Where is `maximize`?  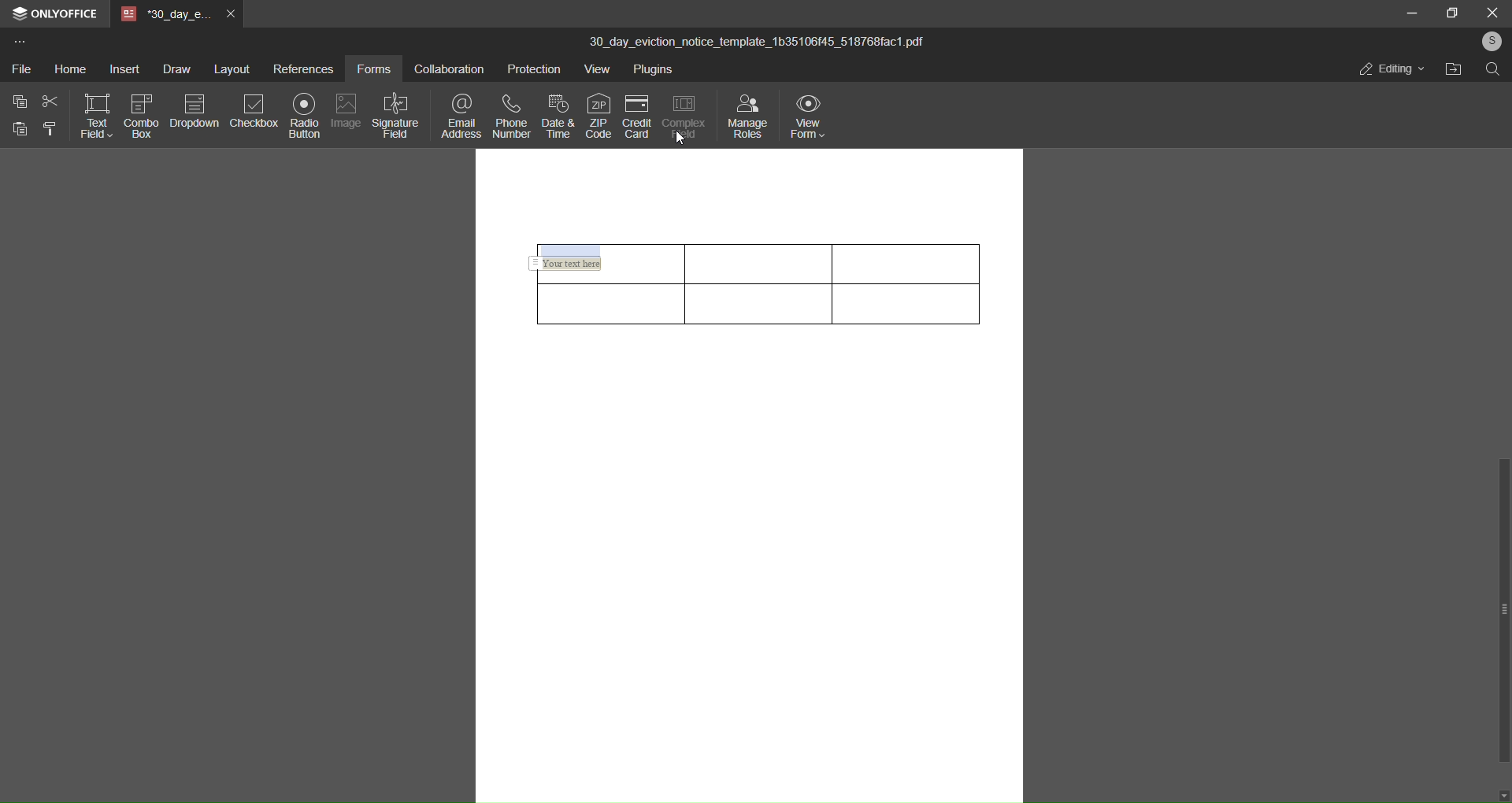
maximize is located at coordinates (1448, 13).